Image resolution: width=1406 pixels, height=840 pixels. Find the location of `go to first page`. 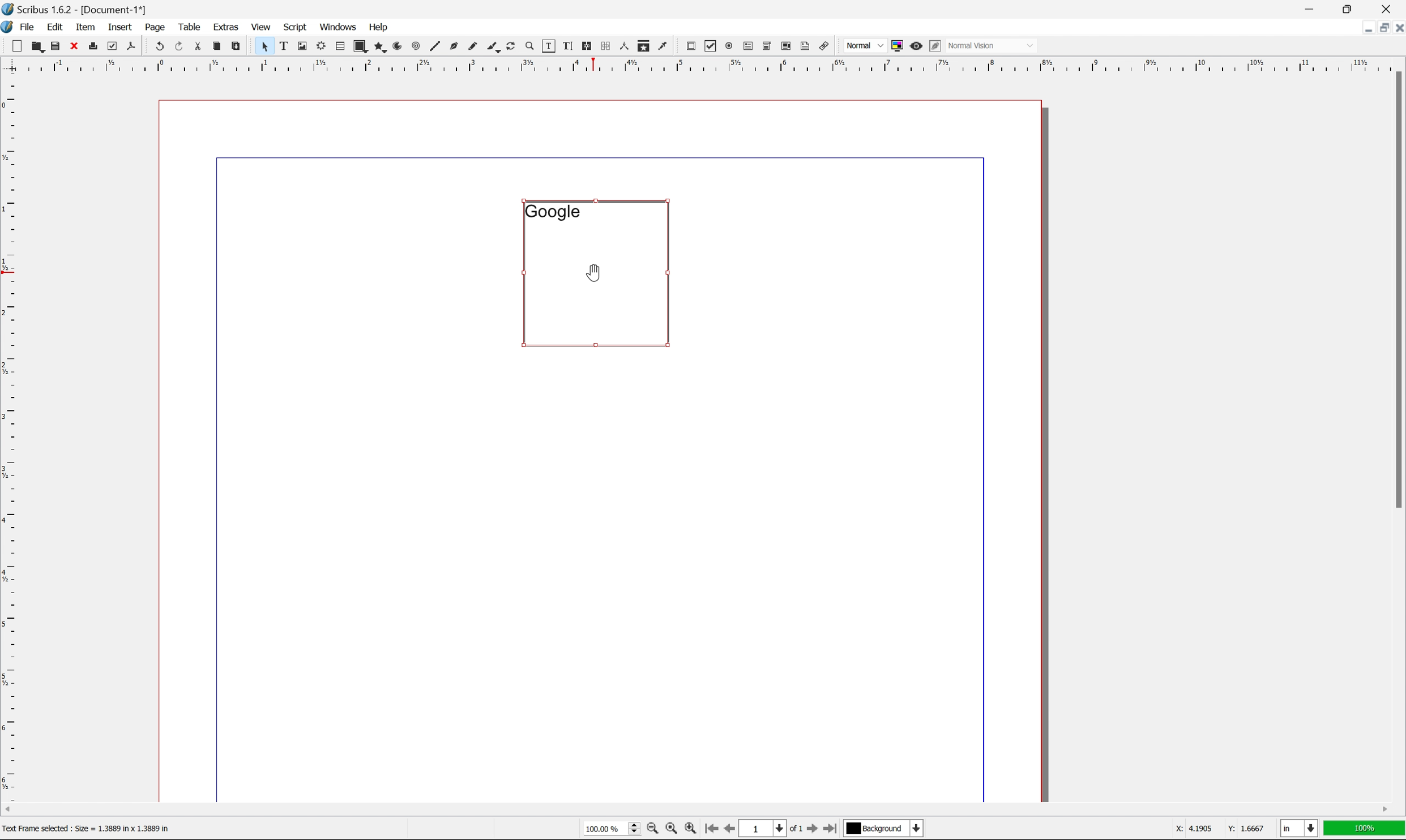

go to first page is located at coordinates (710, 829).